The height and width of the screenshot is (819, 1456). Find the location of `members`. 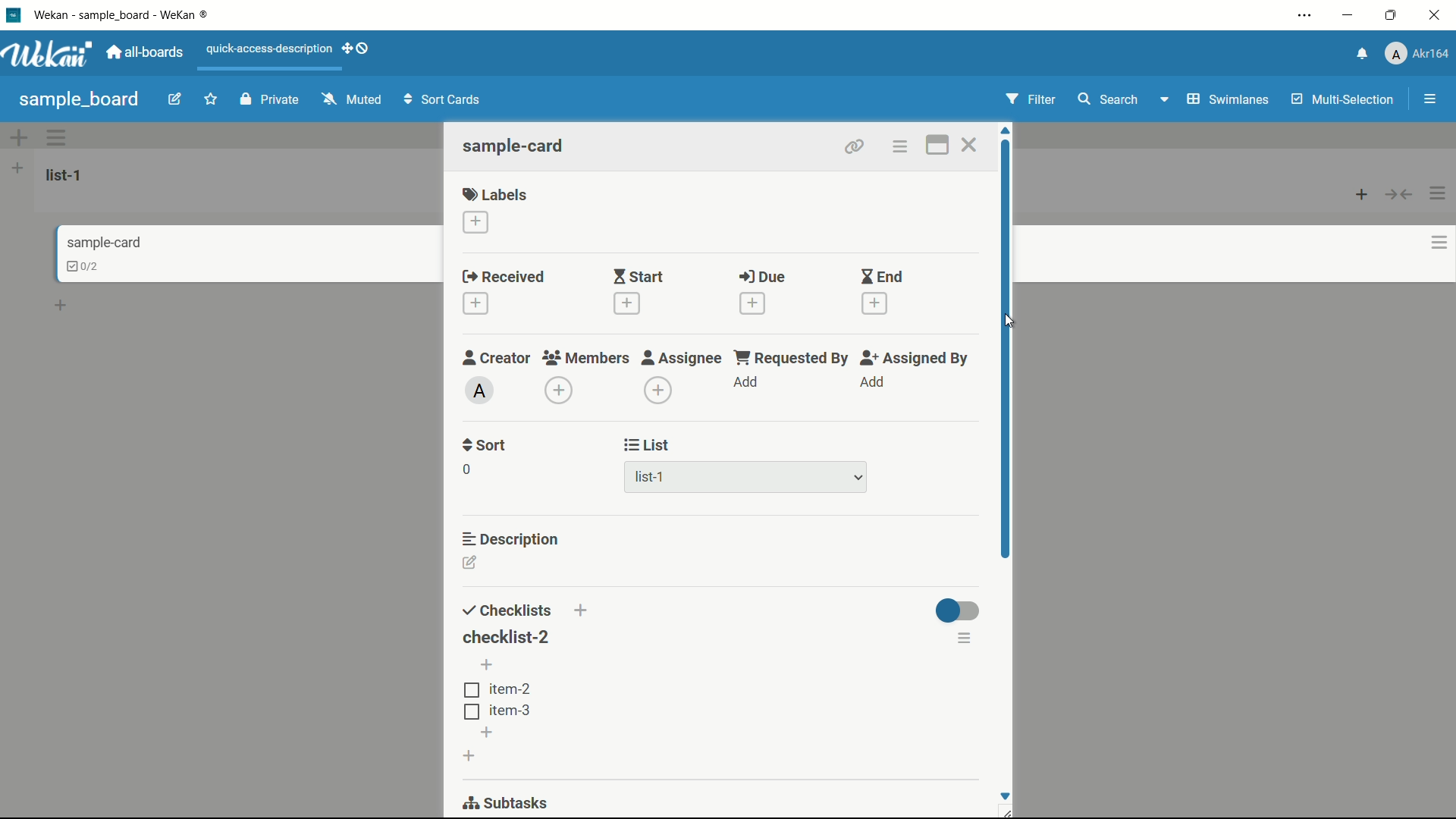

members is located at coordinates (585, 359).